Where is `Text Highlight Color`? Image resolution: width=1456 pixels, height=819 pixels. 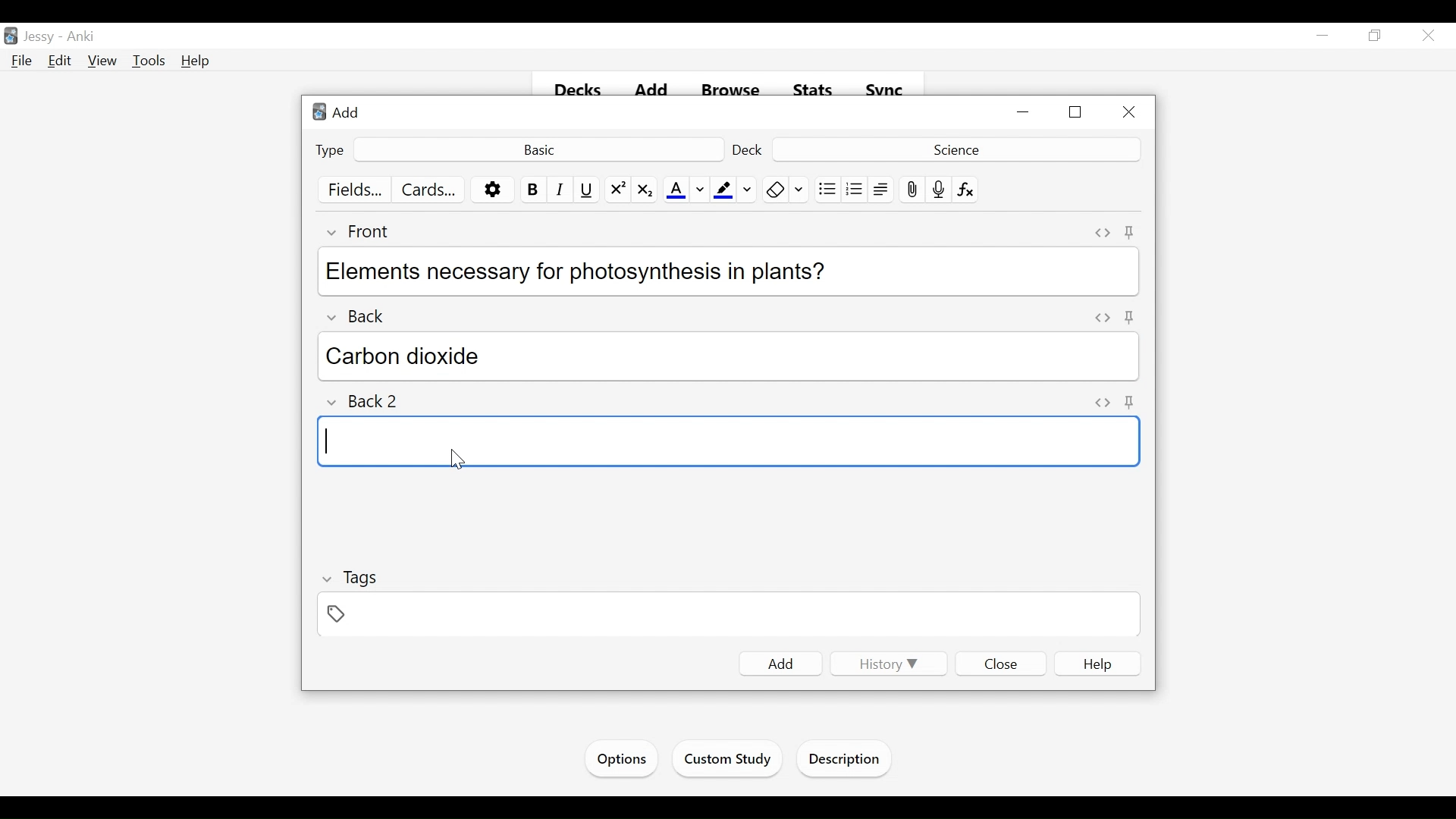 Text Highlight Color is located at coordinates (722, 190).